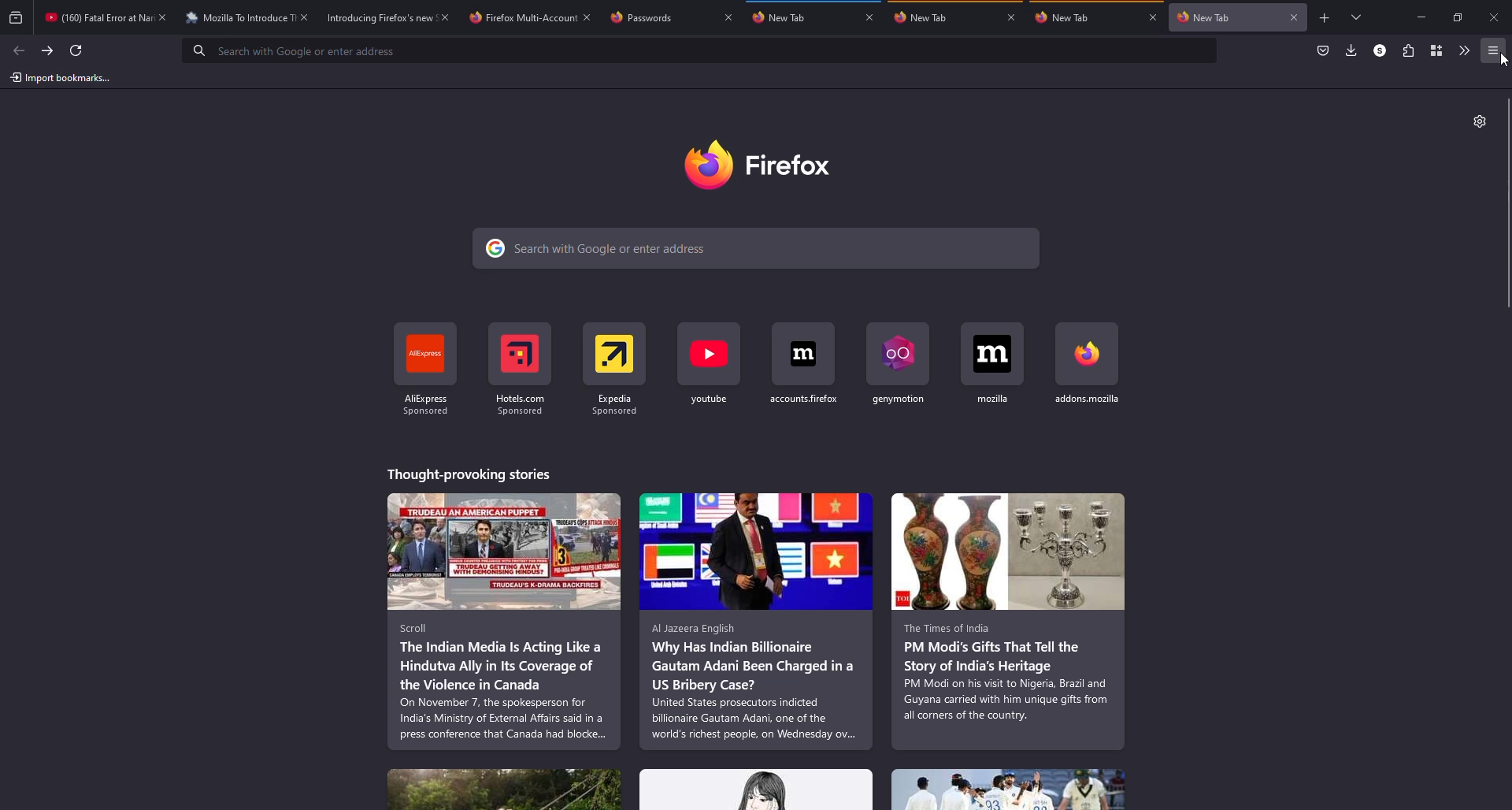 The image size is (1512, 810). What do you see at coordinates (1352, 50) in the screenshot?
I see `downloads` at bounding box center [1352, 50].